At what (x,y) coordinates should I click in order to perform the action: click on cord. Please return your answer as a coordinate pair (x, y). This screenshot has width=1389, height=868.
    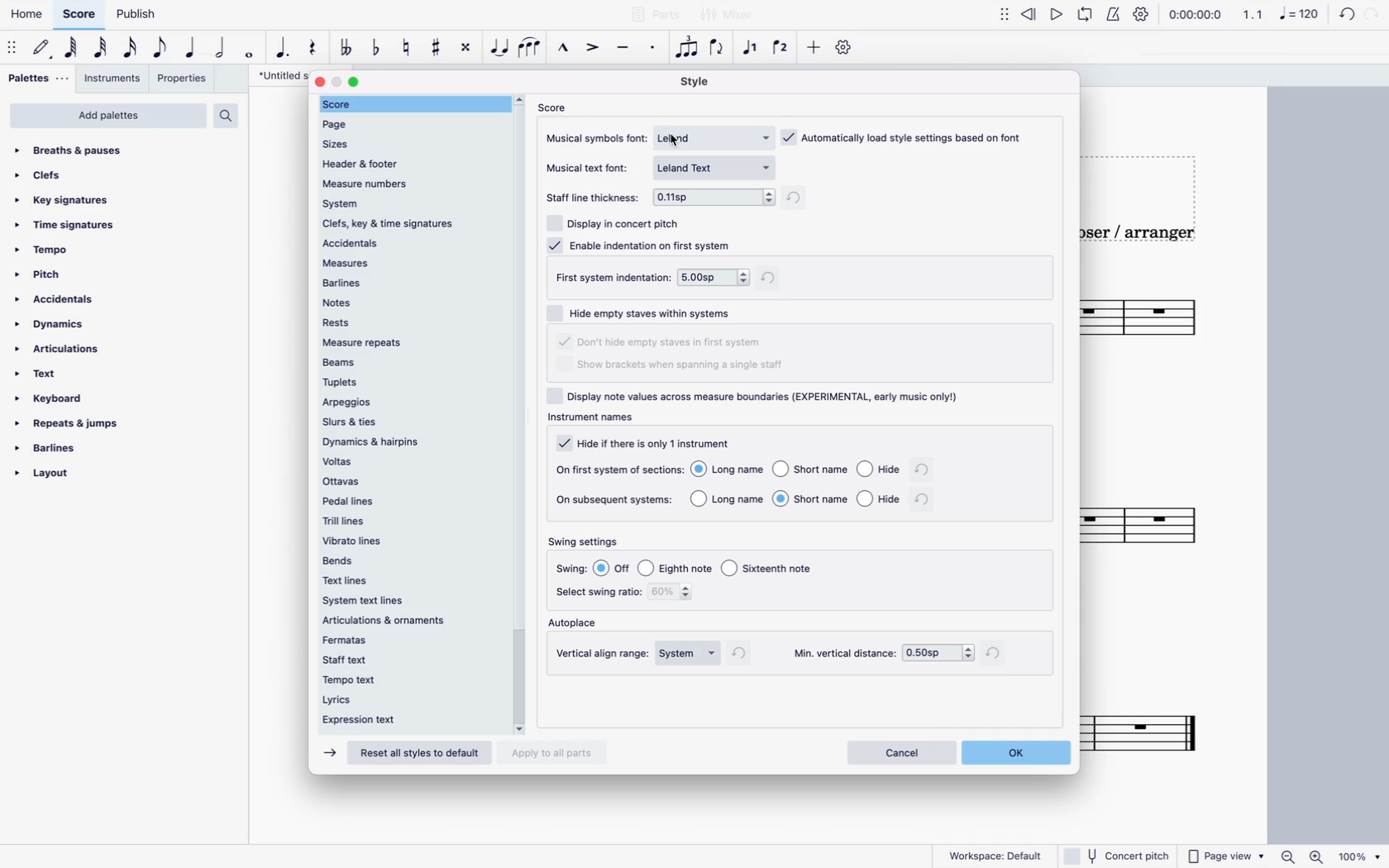
    Looking at the image, I should click on (1333, 12).